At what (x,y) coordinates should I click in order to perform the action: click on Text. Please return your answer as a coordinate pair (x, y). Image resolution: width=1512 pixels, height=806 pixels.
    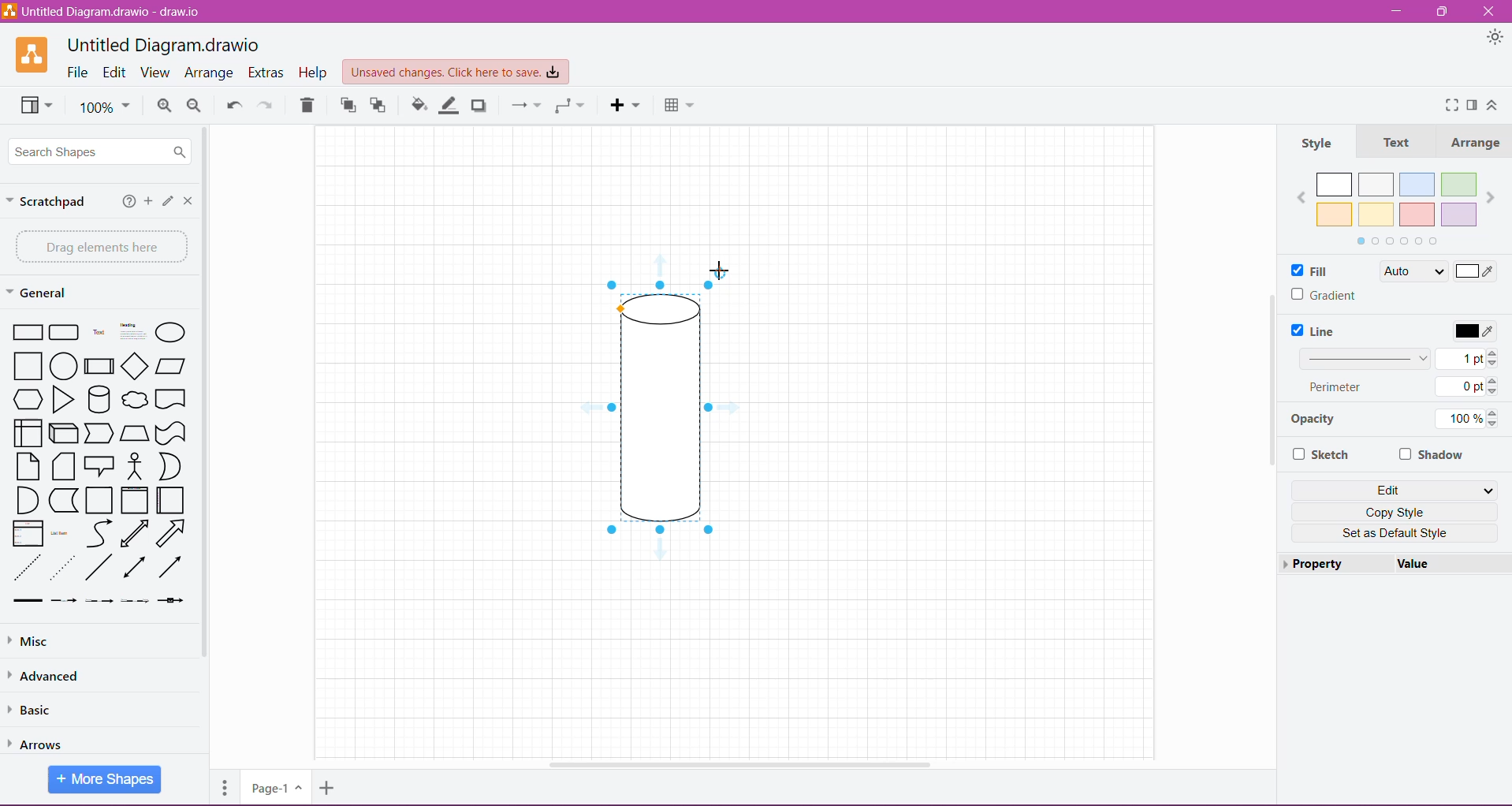
    Looking at the image, I should click on (1396, 142).